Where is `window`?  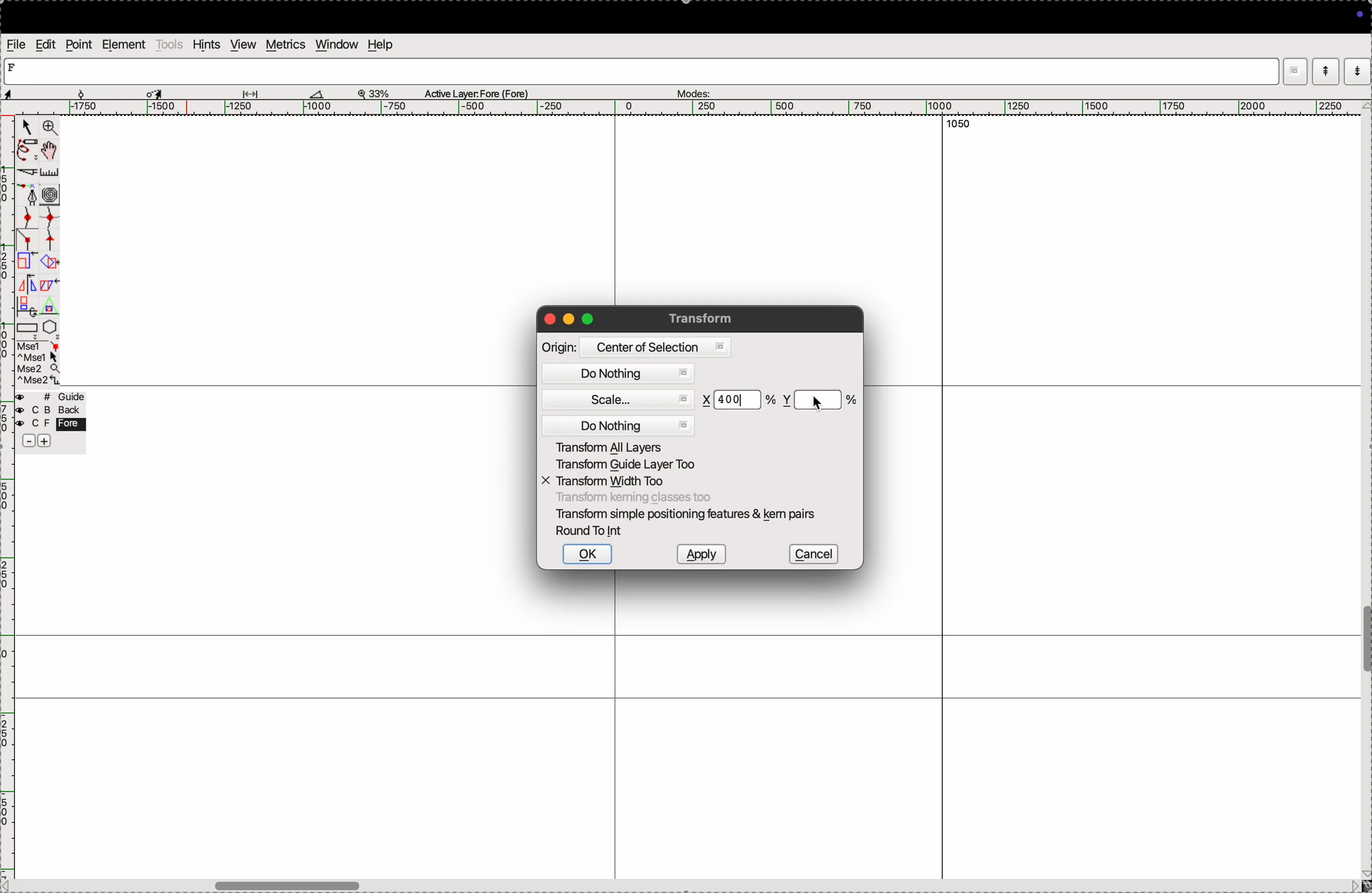
window is located at coordinates (337, 44).